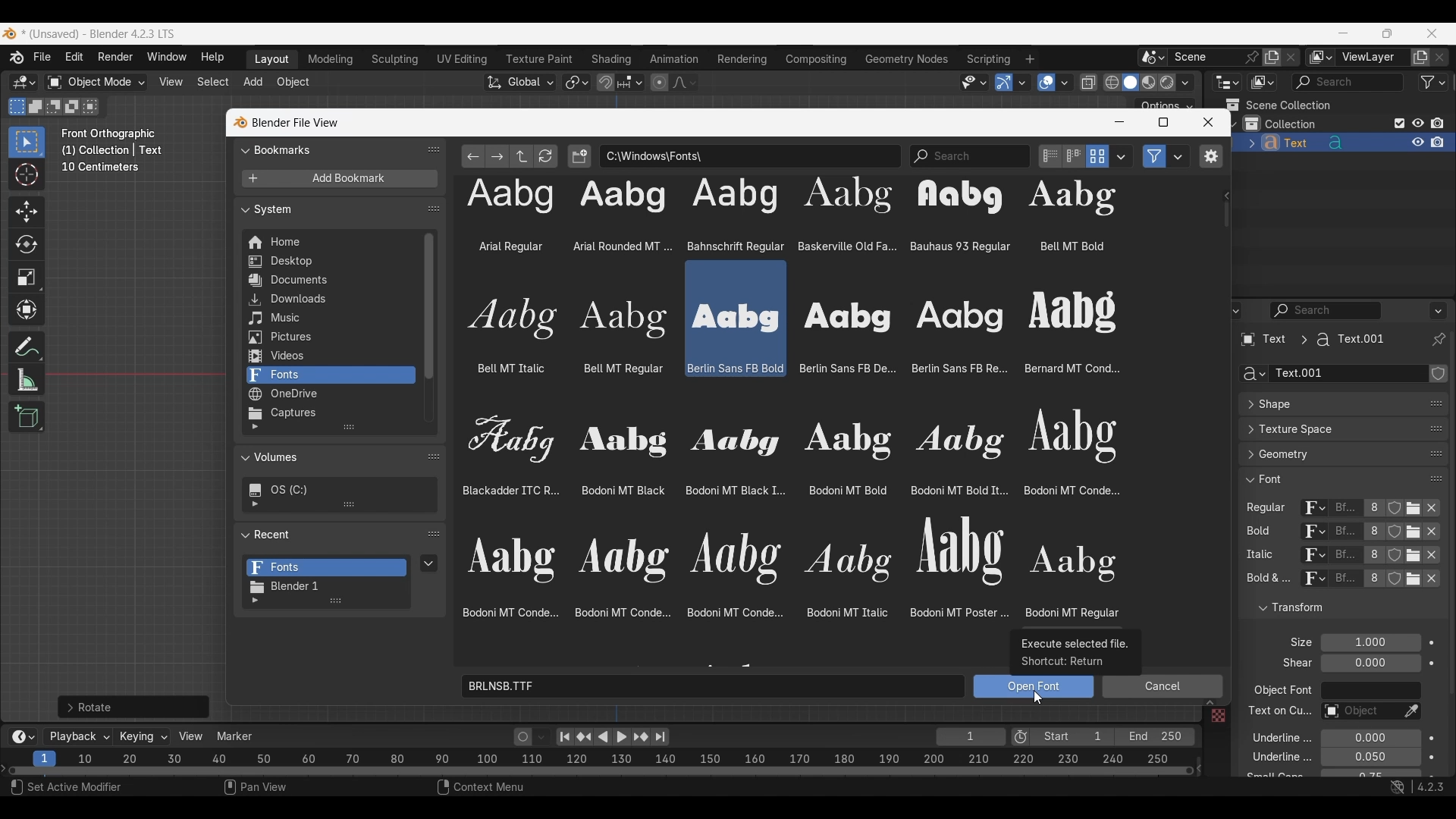 This screenshot has height=819, width=1456. Describe the element at coordinates (328, 534) in the screenshot. I see `Collapse Recent` at that location.